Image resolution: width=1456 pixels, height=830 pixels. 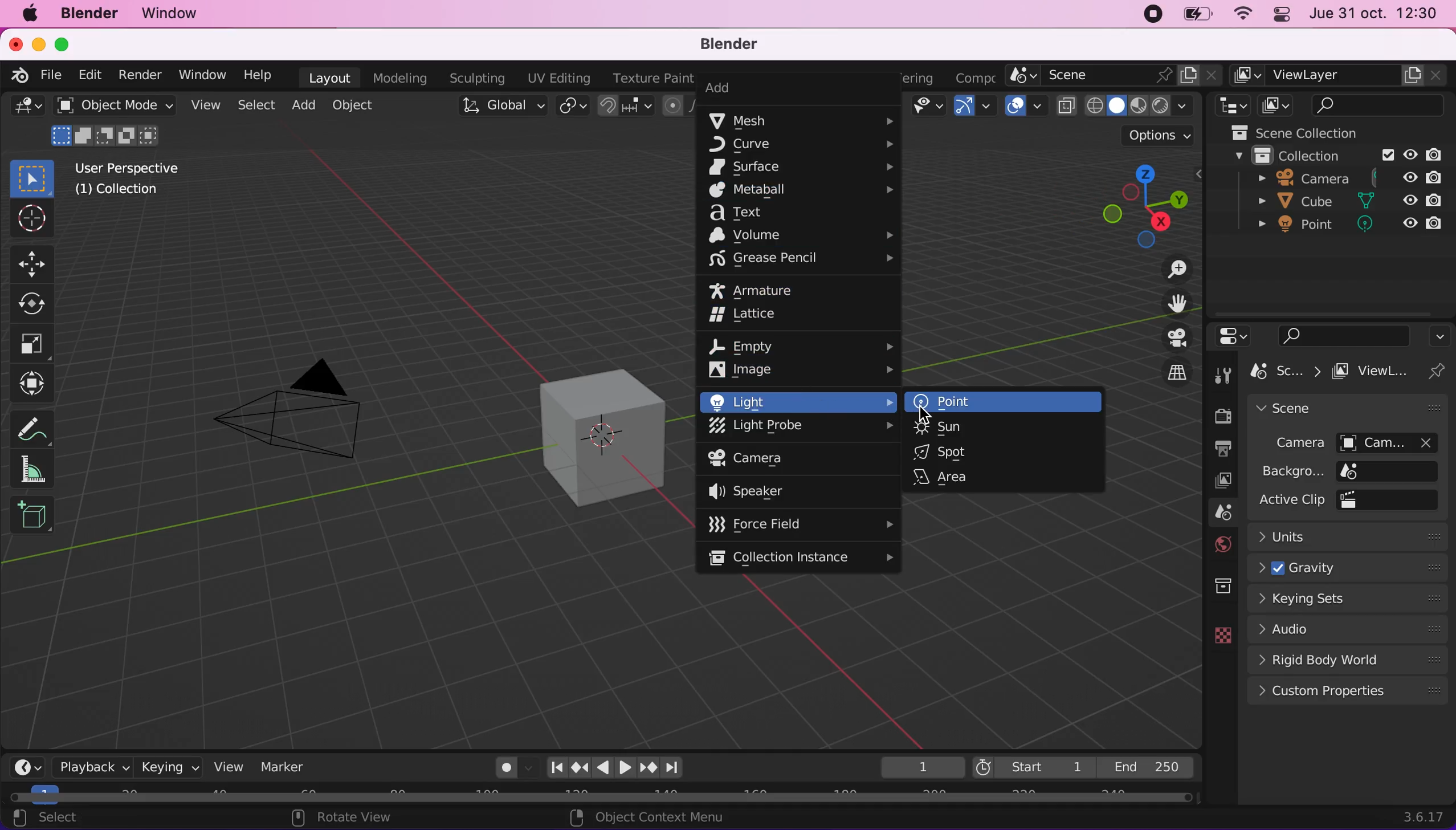 I want to click on options, so click(x=1159, y=137).